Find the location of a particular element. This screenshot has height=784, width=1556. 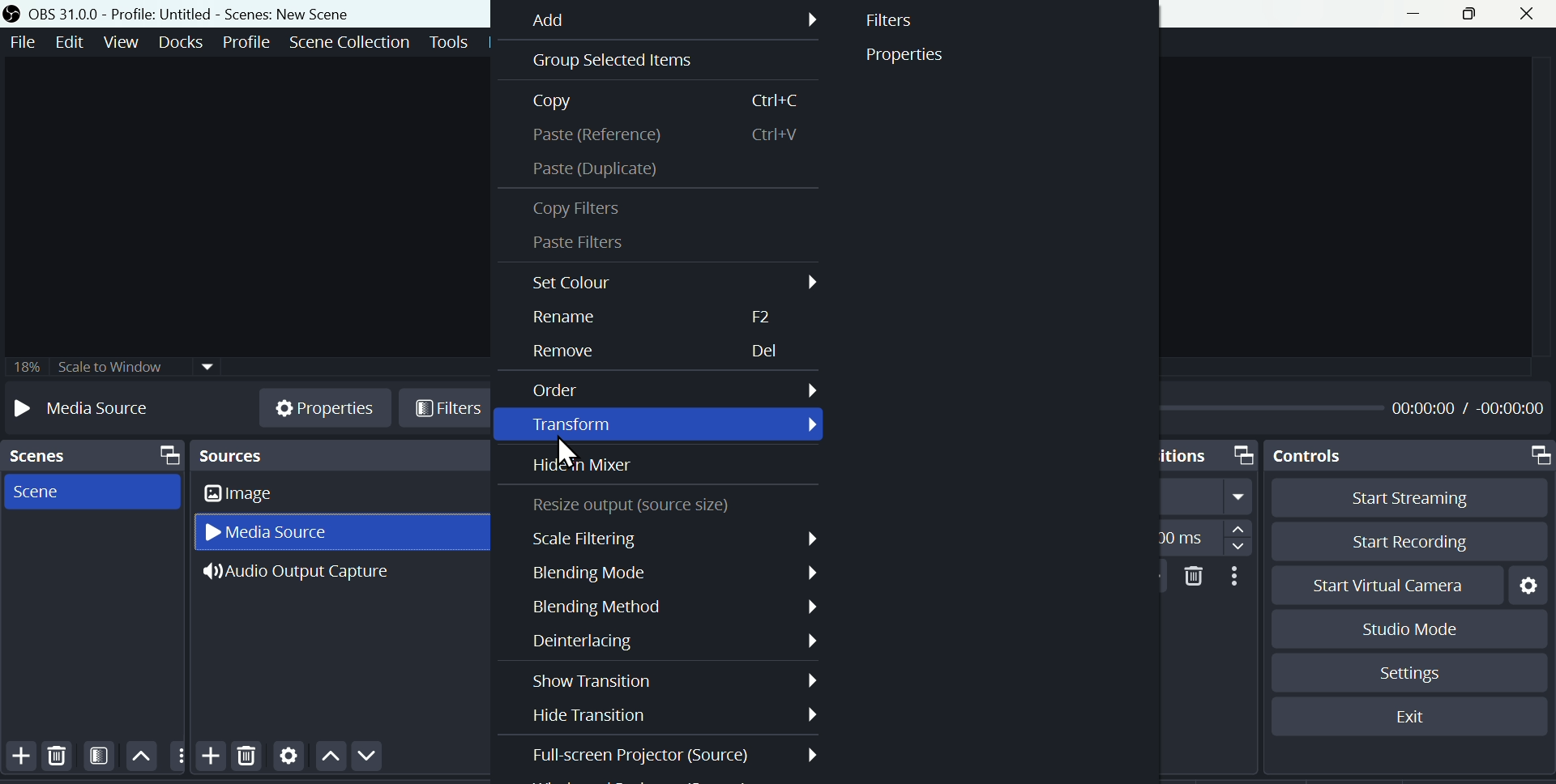

Deinterlacing is located at coordinates (677, 639).